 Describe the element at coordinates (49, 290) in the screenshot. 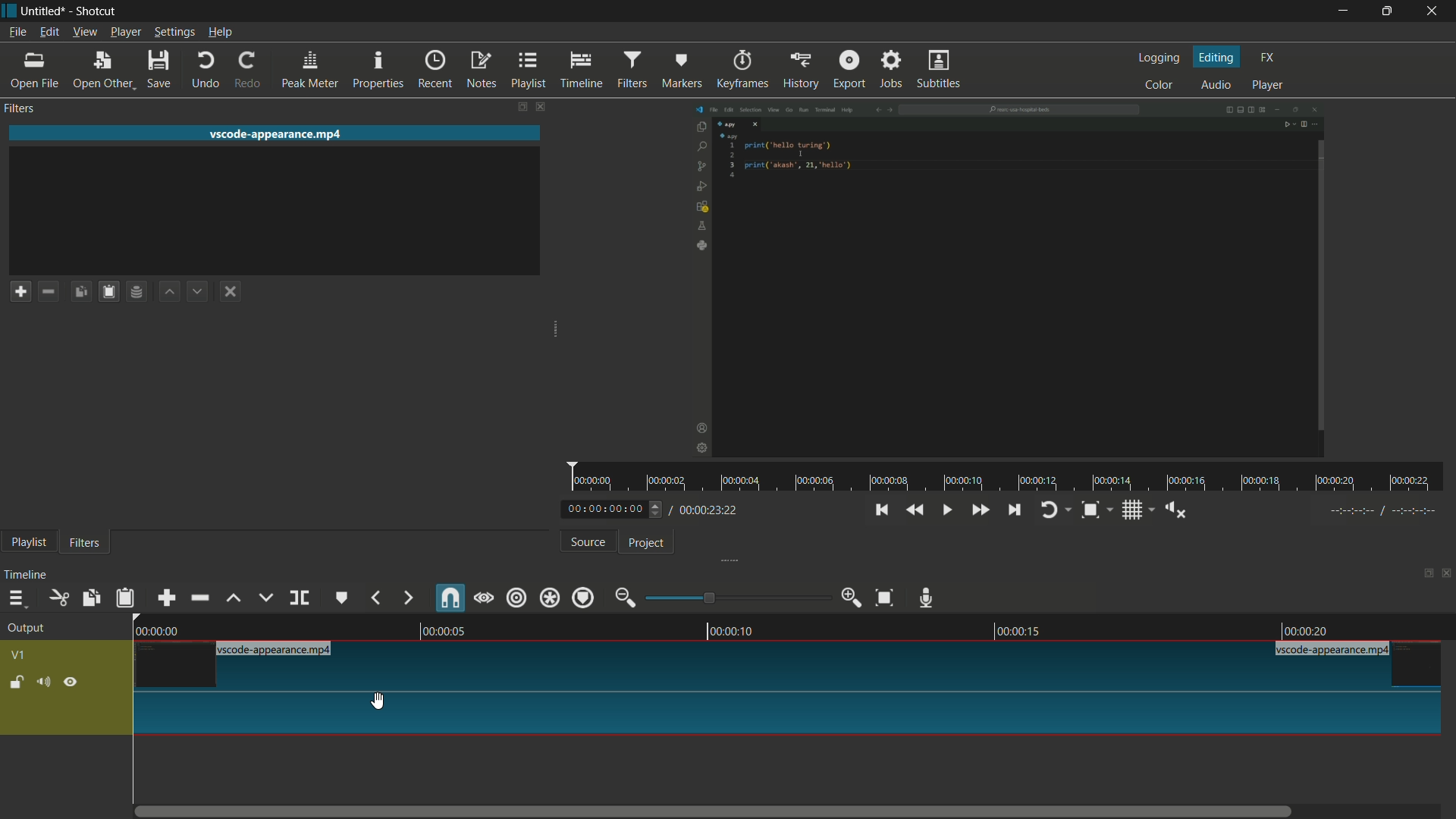

I see `remove a filter` at that location.